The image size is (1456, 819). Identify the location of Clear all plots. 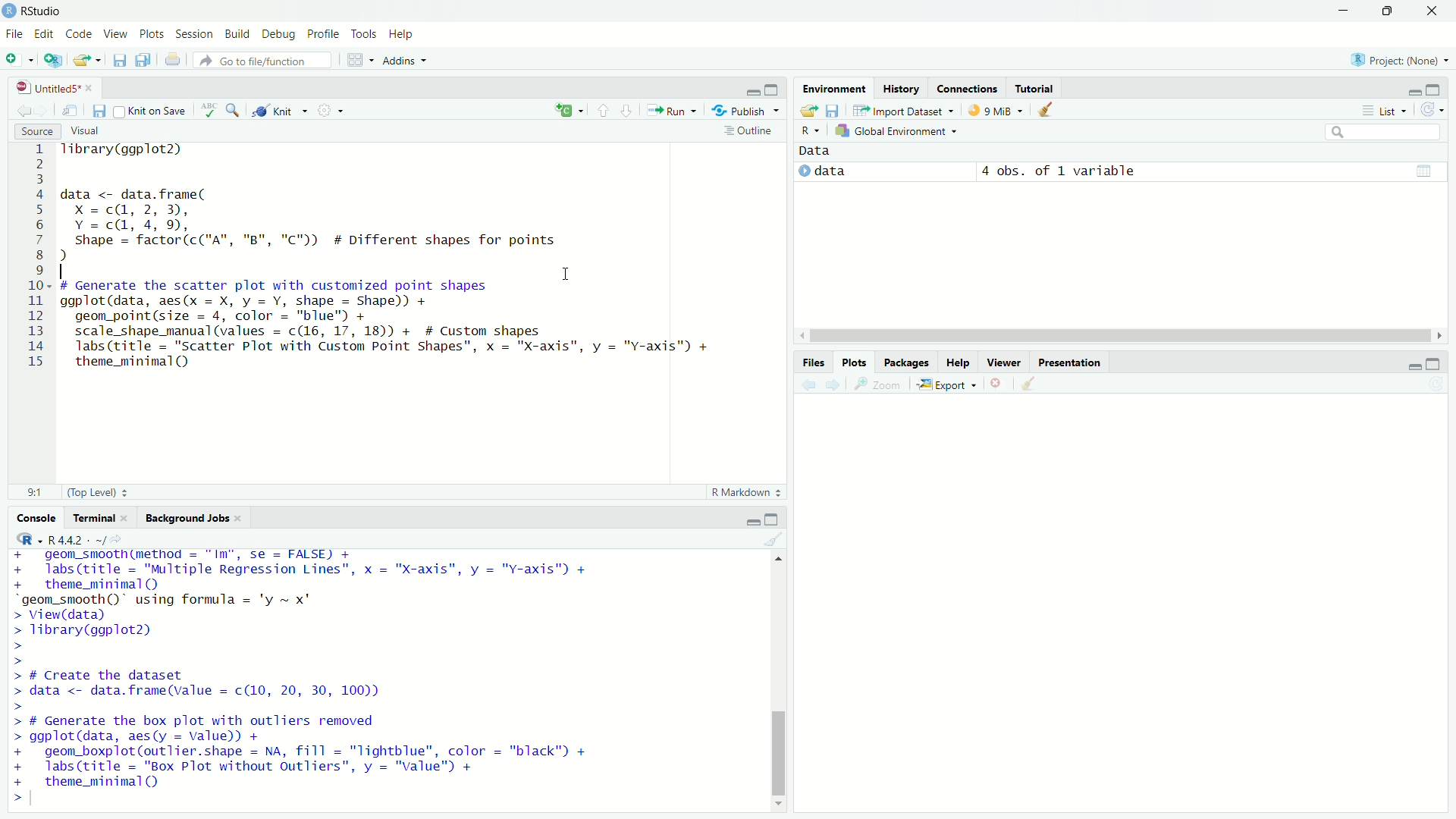
(1028, 383).